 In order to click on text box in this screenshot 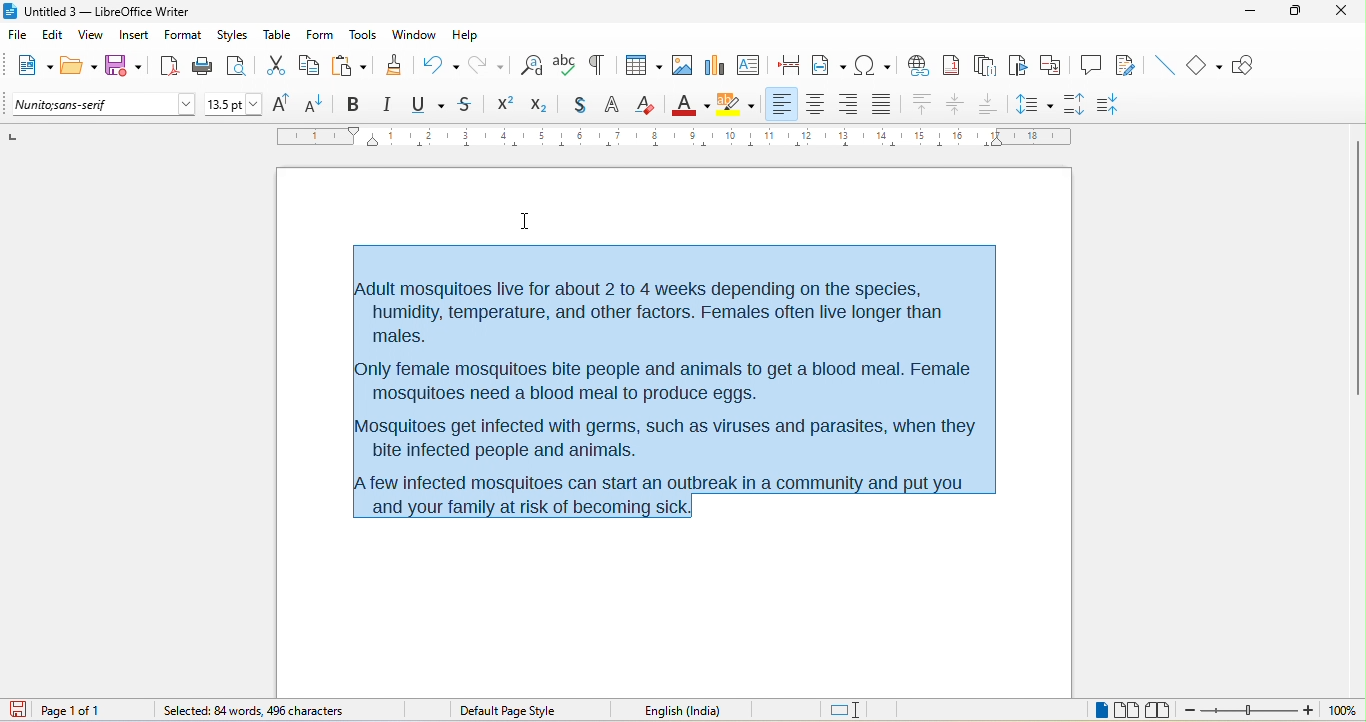, I will do `click(748, 64)`.